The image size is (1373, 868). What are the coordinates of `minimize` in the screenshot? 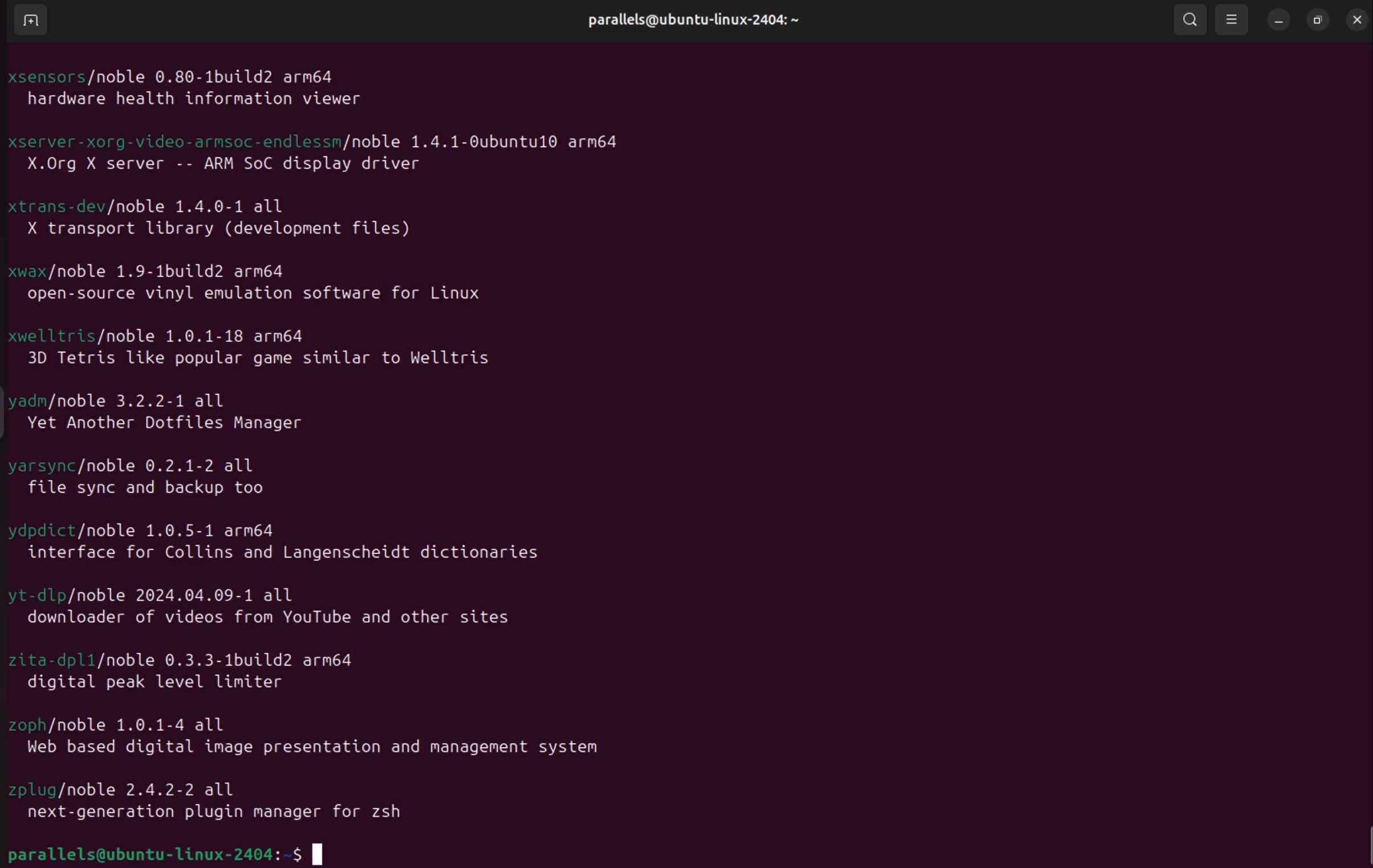 It's located at (1276, 18).